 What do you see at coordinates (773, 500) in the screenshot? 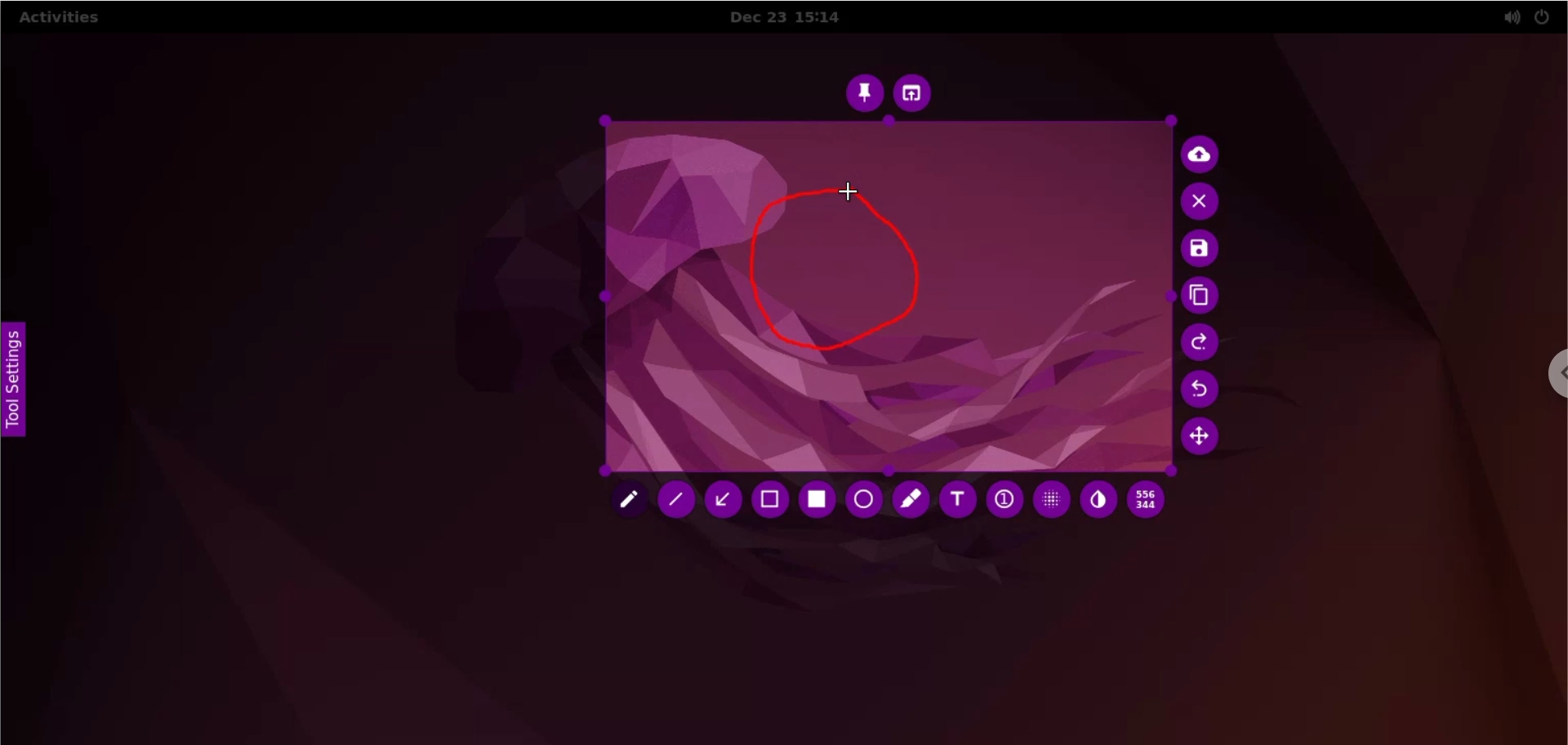
I see `selection` at bounding box center [773, 500].